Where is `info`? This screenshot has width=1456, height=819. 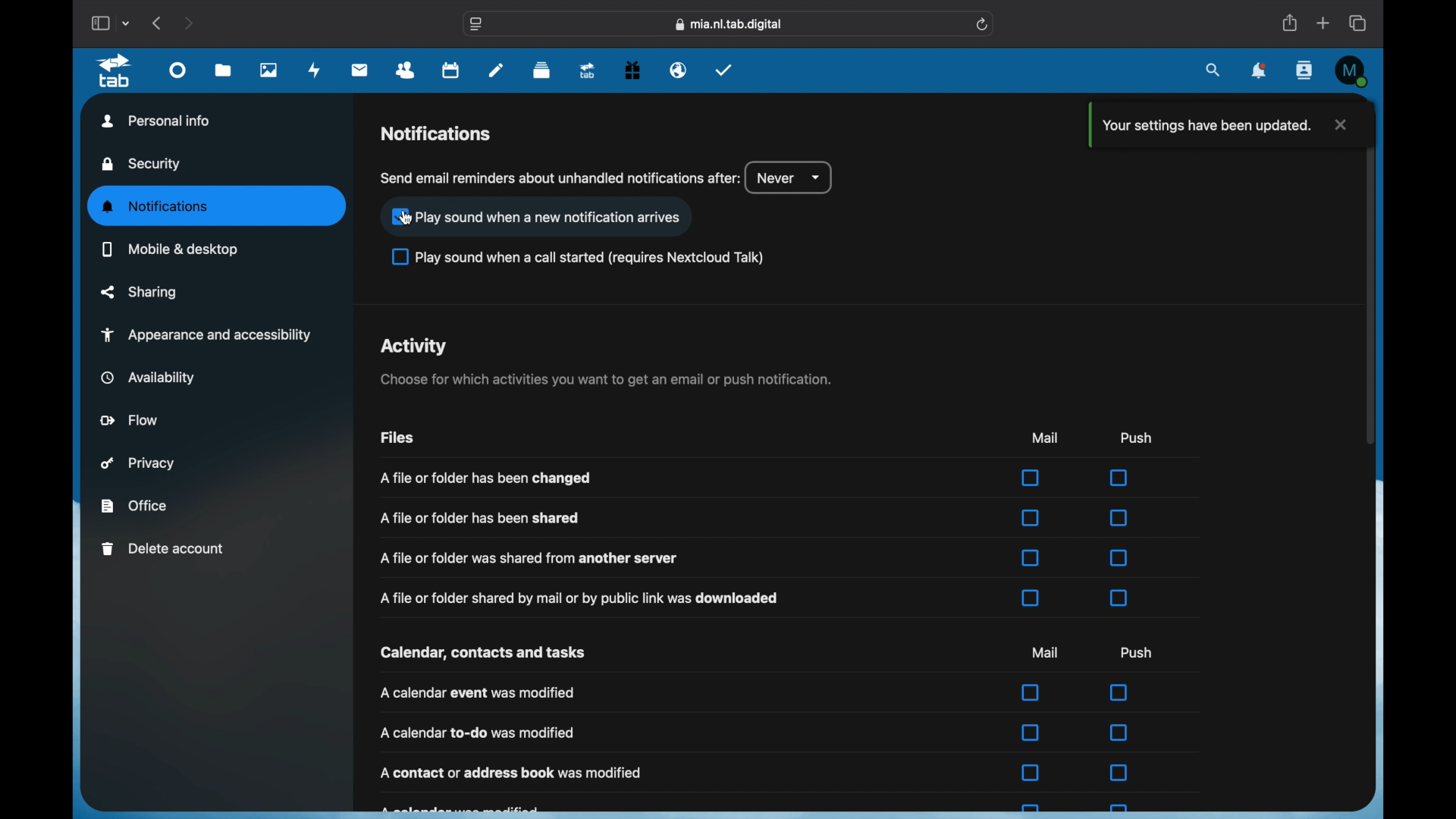 info is located at coordinates (581, 598).